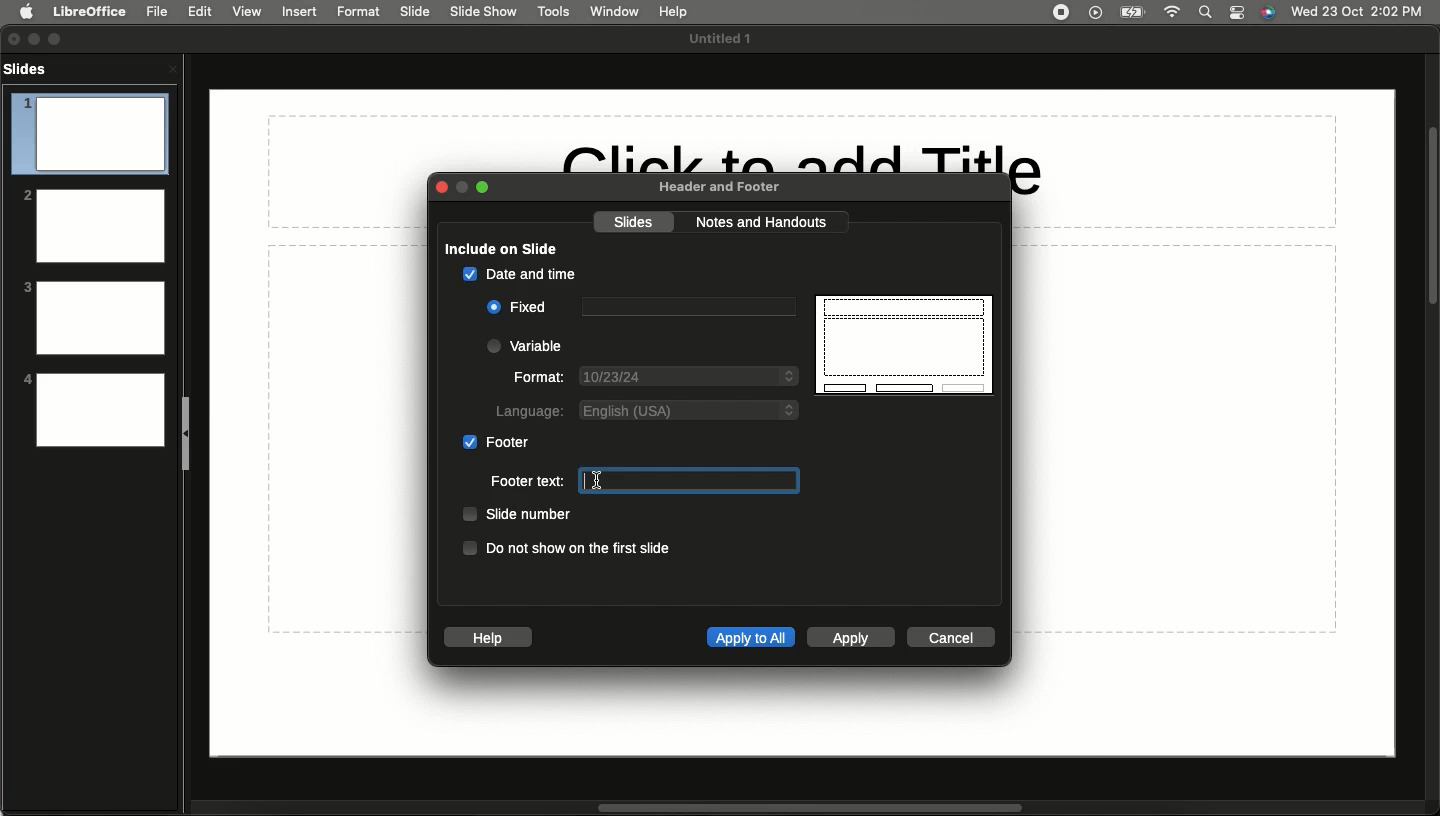  What do you see at coordinates (499, 246) in the screenshot?
I see `Include on slide` at bounding box center [499, 246].